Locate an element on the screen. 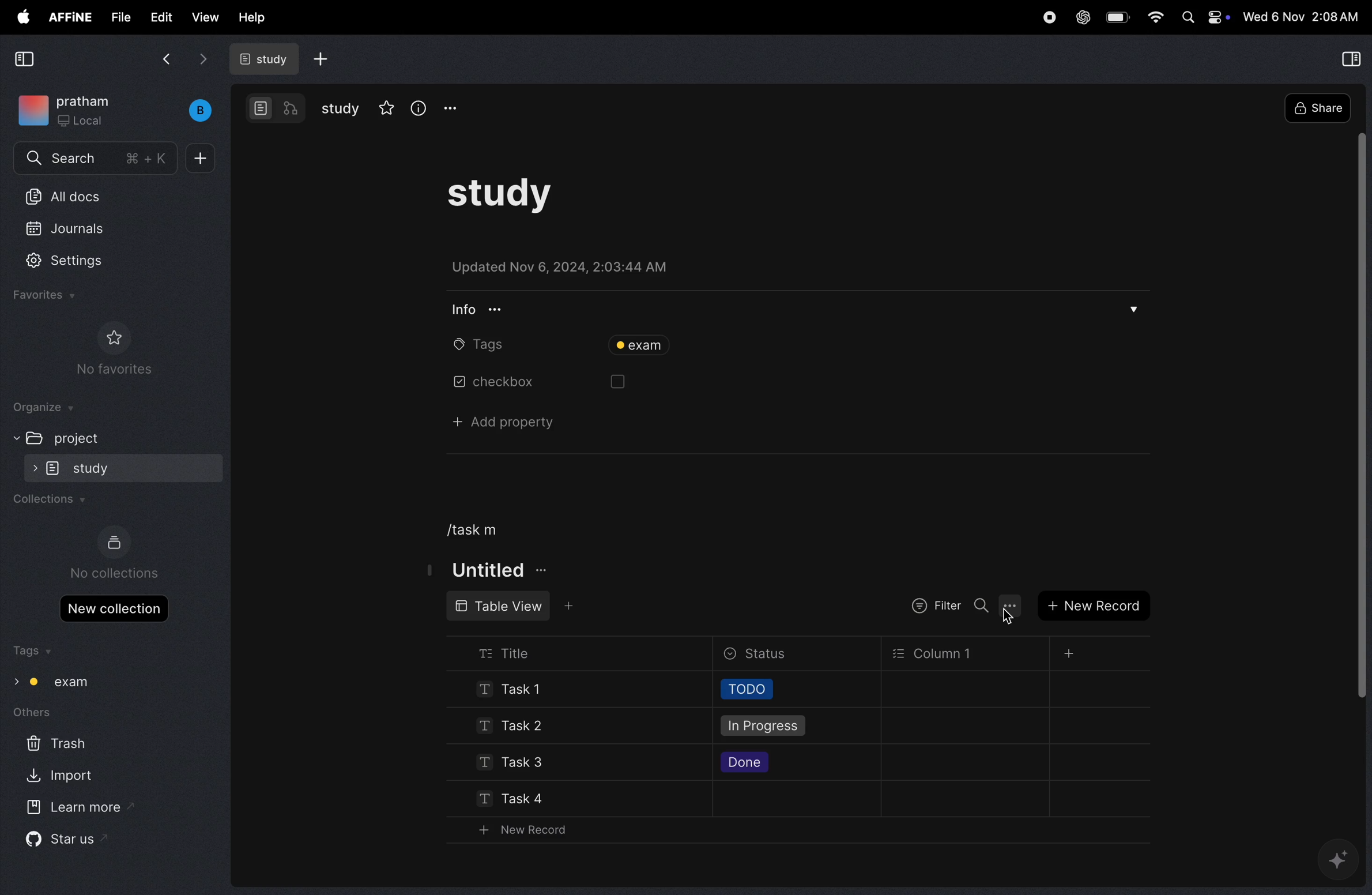 The height and width of the screenshot is (895, 1372). chat gpt is located at coordinates (1079, 18).